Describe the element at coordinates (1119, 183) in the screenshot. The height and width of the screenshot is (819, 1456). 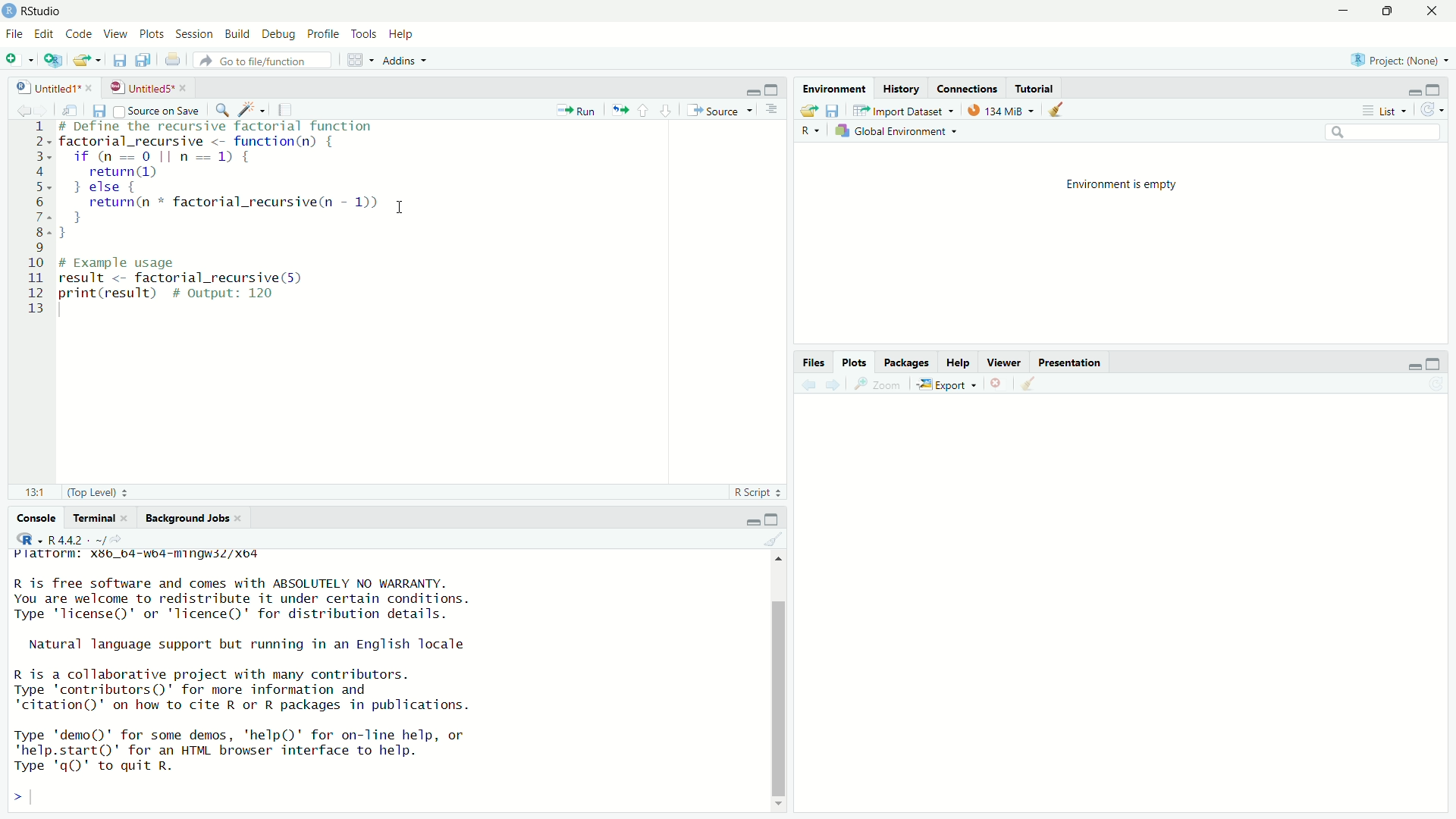
I see `Environment is empty` at that location.